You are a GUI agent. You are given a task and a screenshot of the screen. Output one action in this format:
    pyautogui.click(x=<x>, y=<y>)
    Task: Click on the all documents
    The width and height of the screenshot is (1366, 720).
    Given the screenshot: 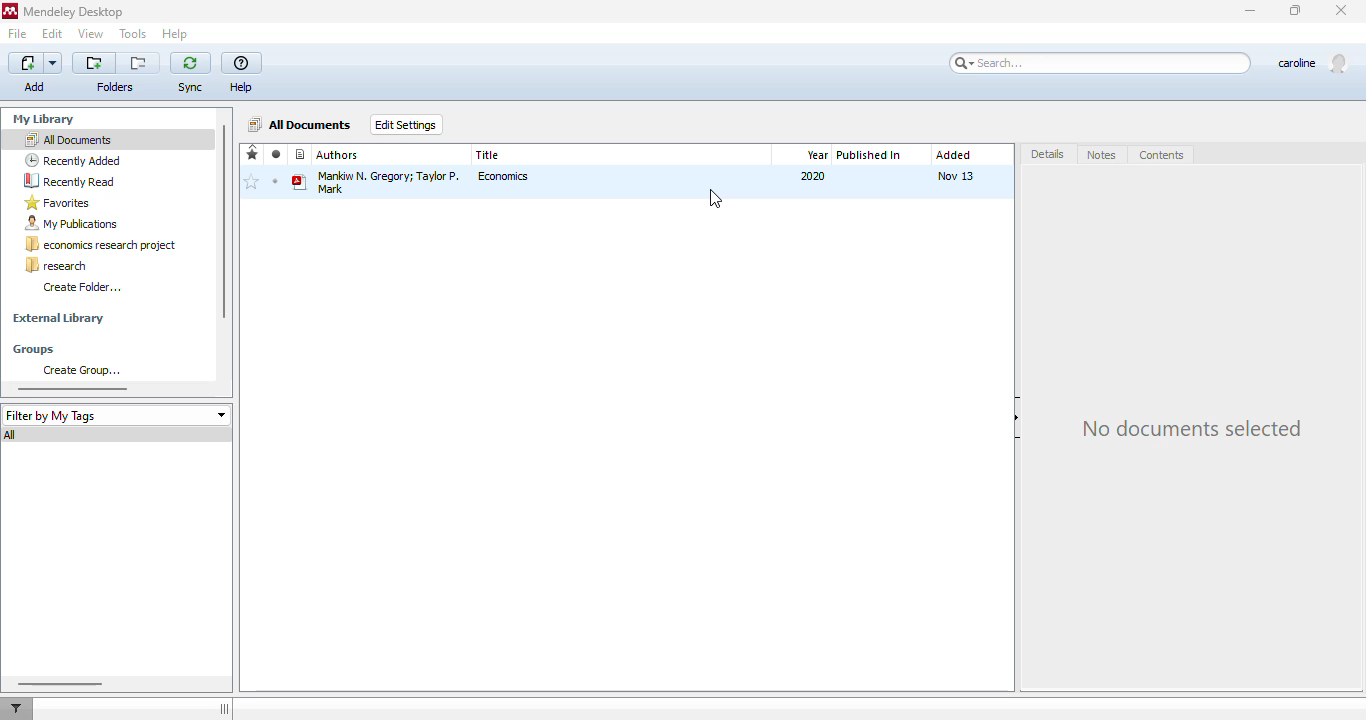 What is the action you would take?
    pyautogui.click(x=301, y=124)
    